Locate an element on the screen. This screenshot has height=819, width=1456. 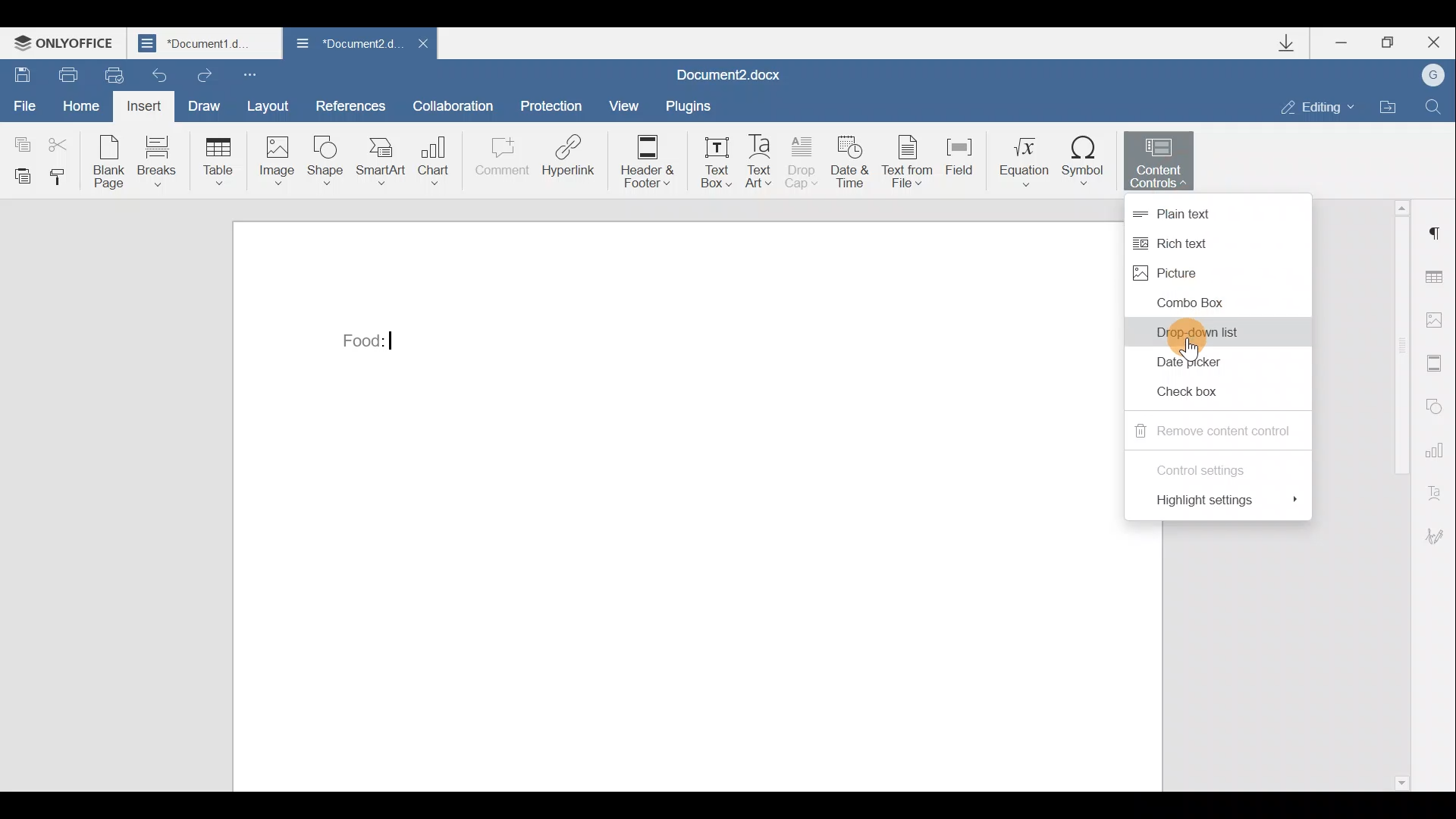
Insert is located at coordinates (146, 109).